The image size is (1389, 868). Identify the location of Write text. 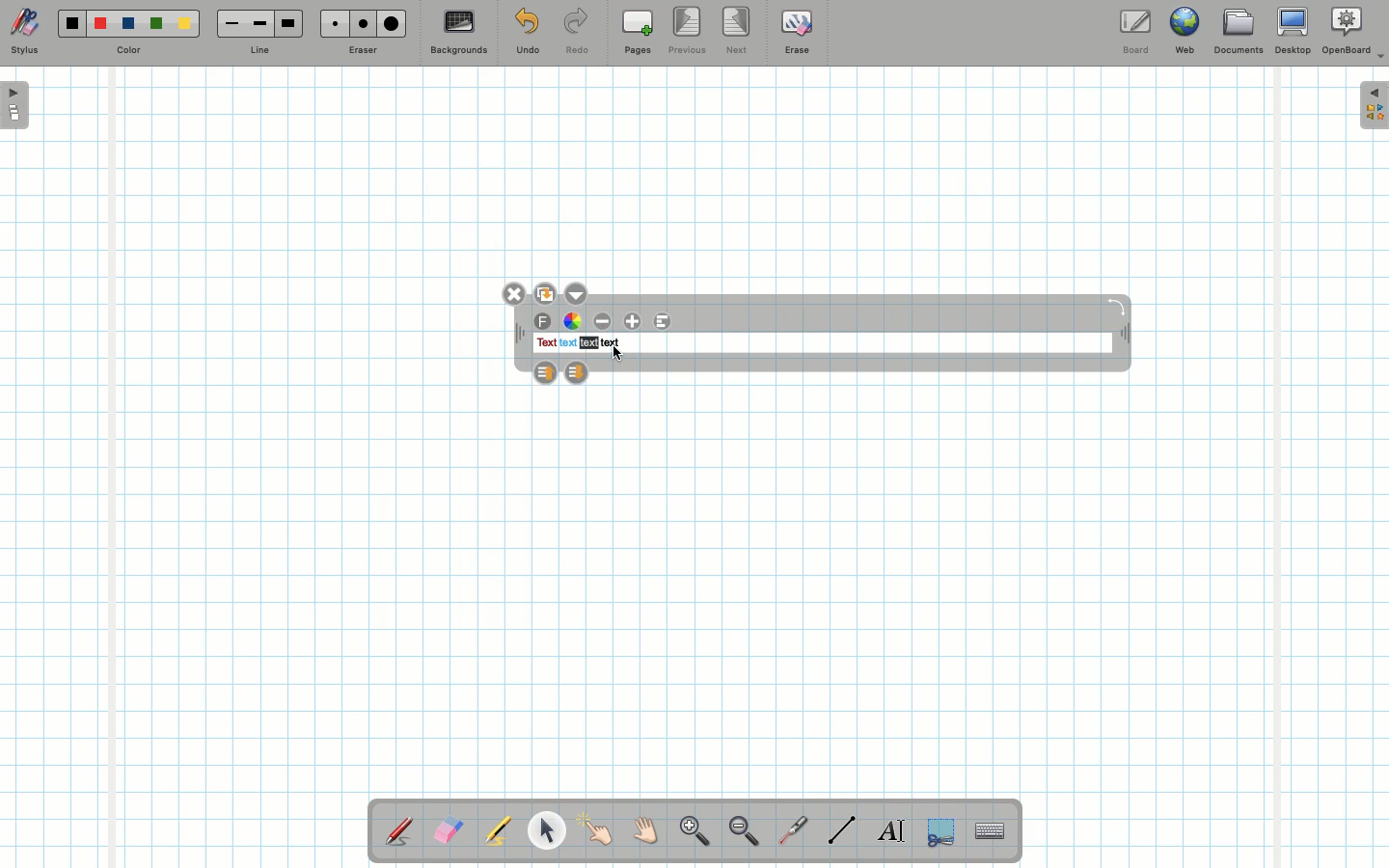
(893, 827).